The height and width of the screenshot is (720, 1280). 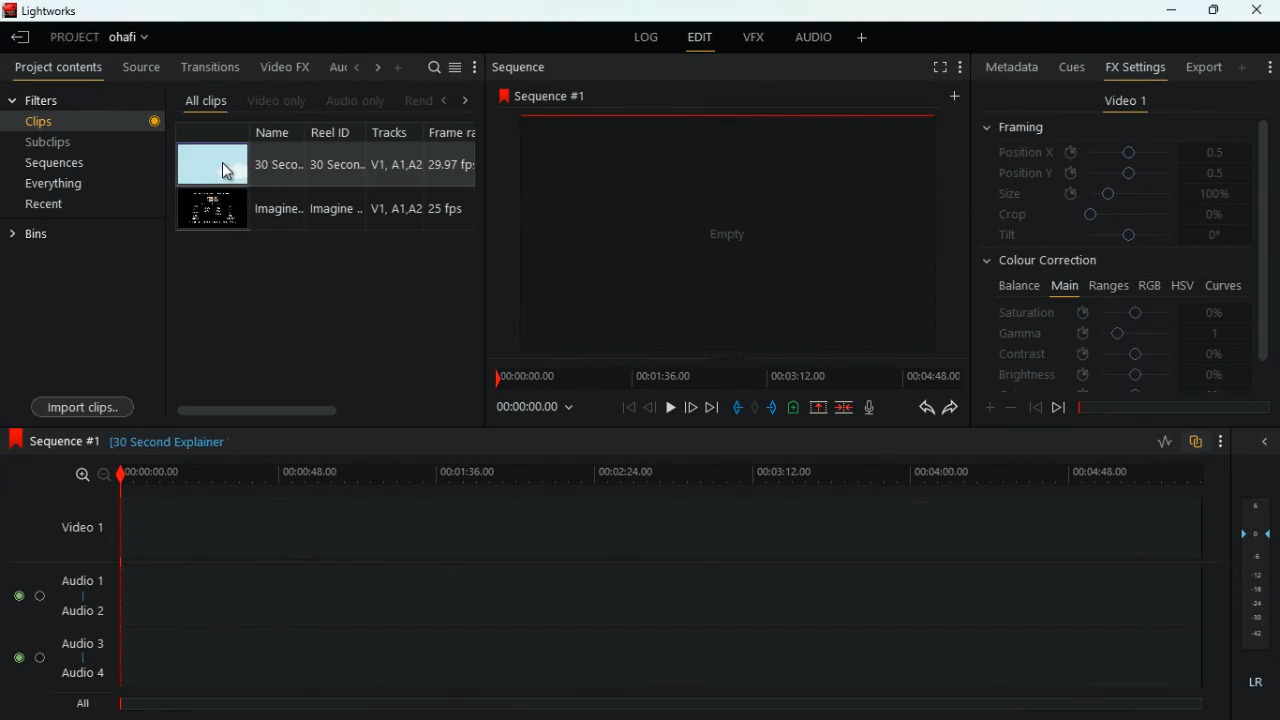 What do you see at coordinates (1257, 590) in the screenshot?
I see `-18 (layer)` at bounding box center [1257, 590].